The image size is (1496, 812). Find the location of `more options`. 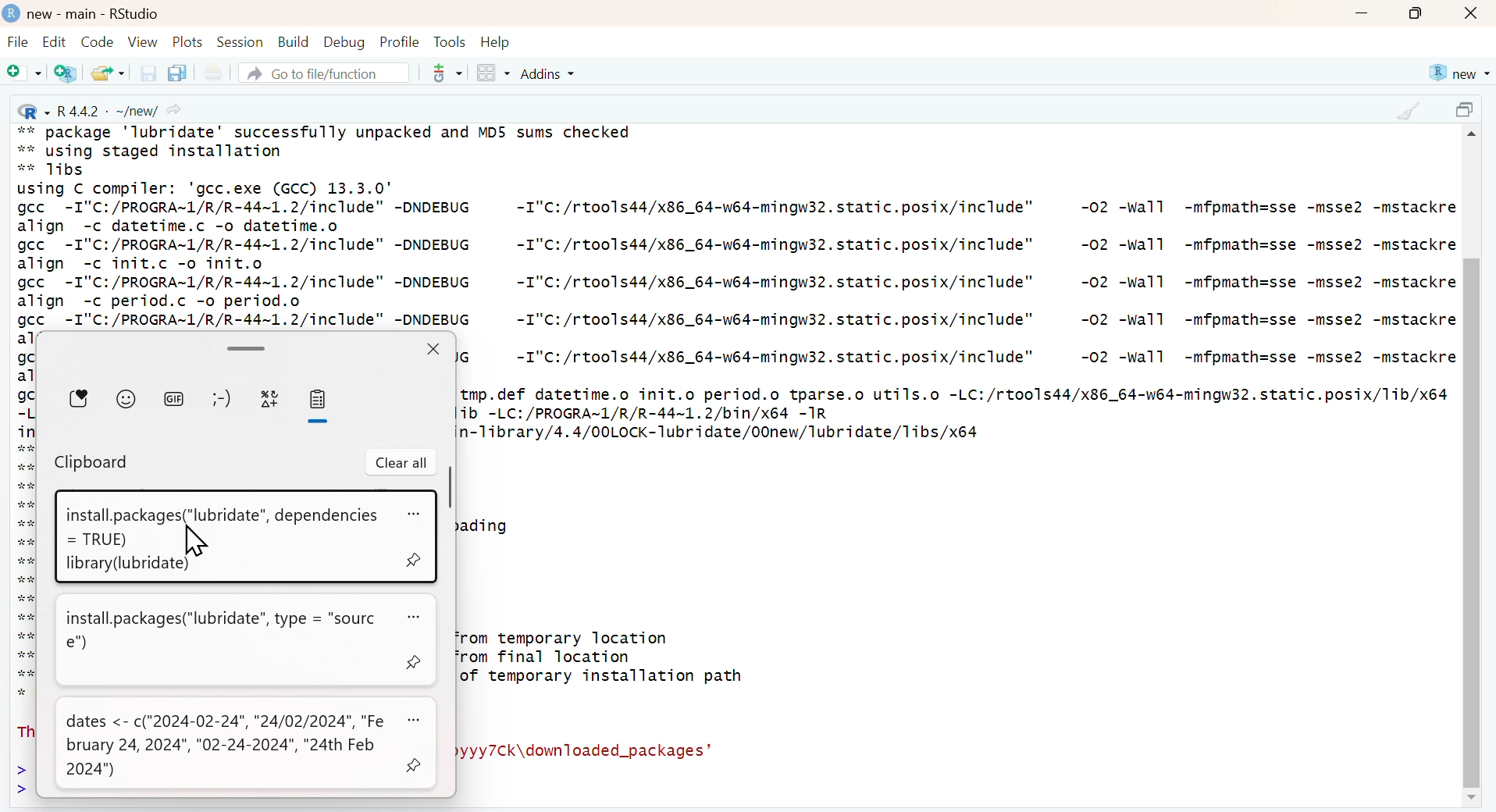

more options is located at coordinates (416, 515).